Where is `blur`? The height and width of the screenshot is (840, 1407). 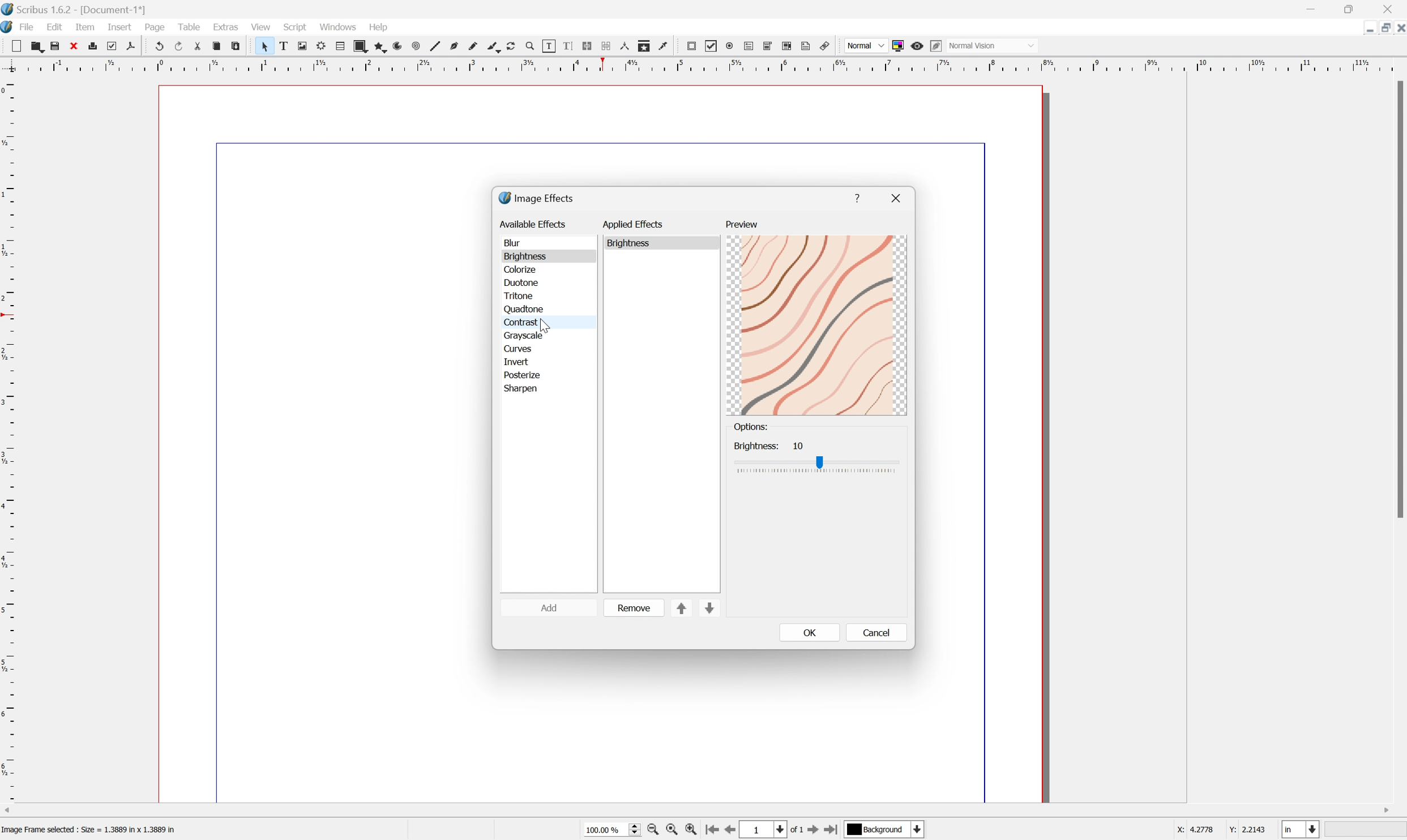
blur is located at coordinates (515, 241).